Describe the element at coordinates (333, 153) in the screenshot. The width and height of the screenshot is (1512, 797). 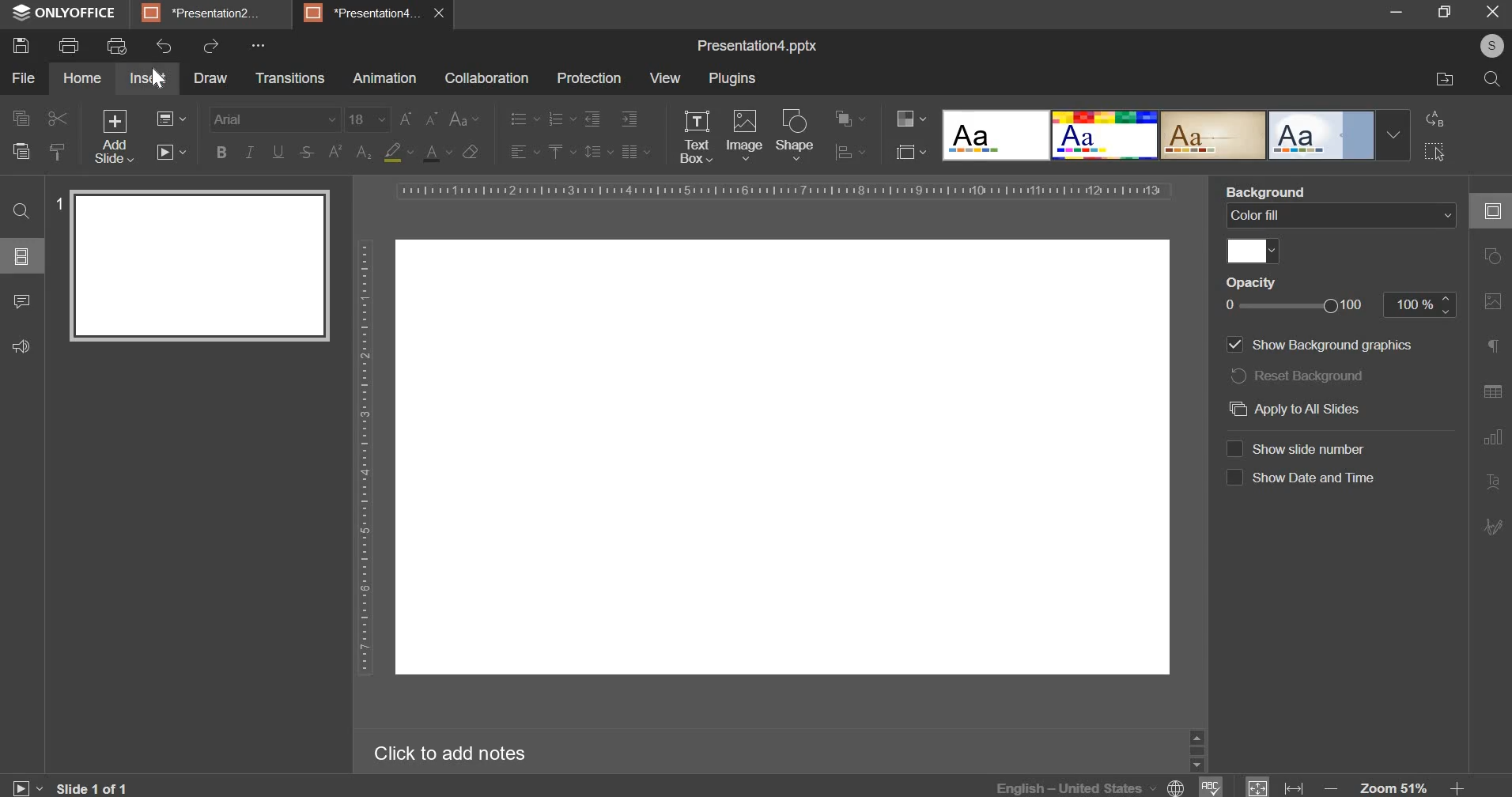
I see `superscript` at that location.